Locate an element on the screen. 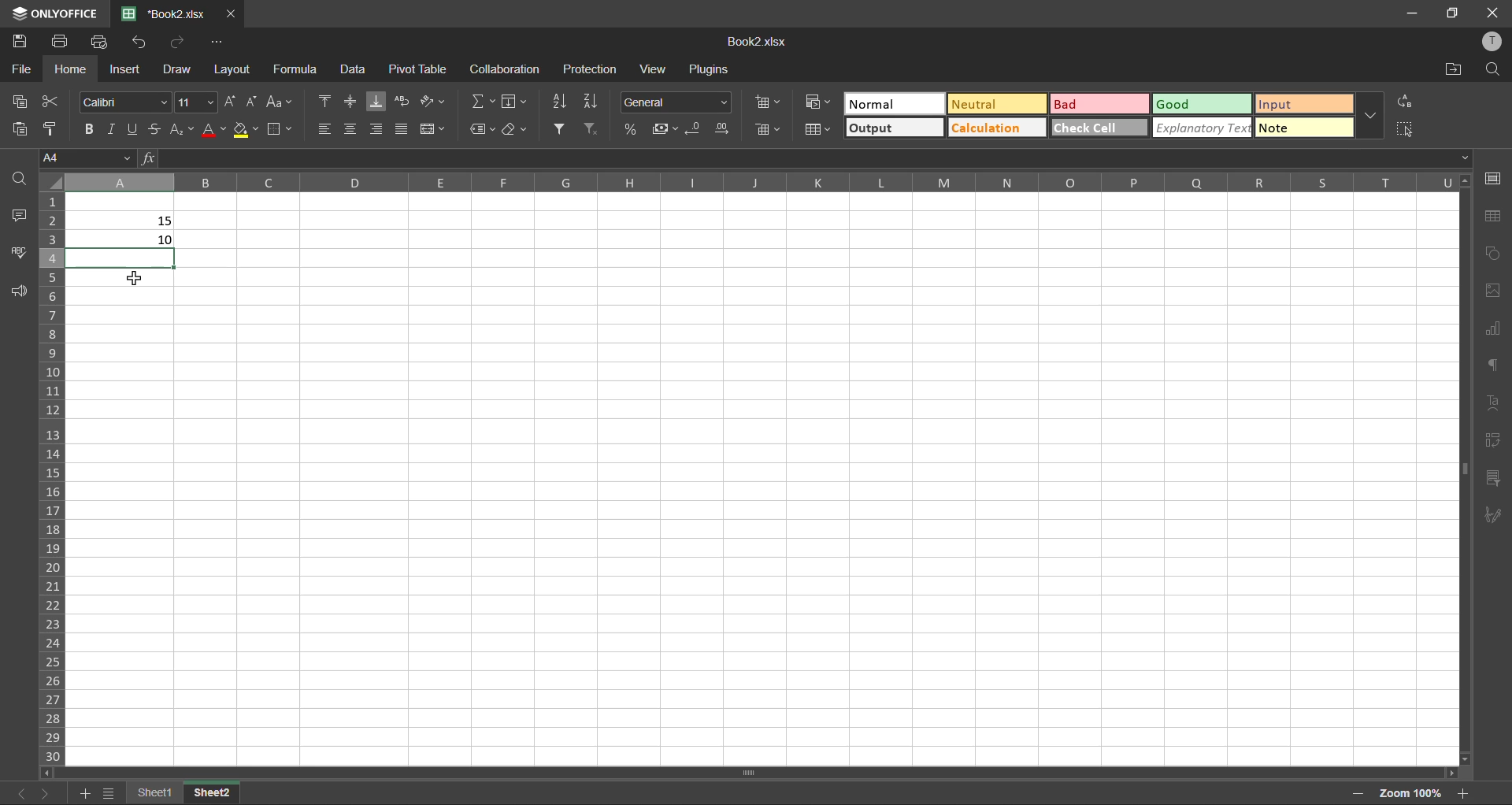 This screenshot has width=1512, height=805. selected cell is located at coordinates (124, 258).